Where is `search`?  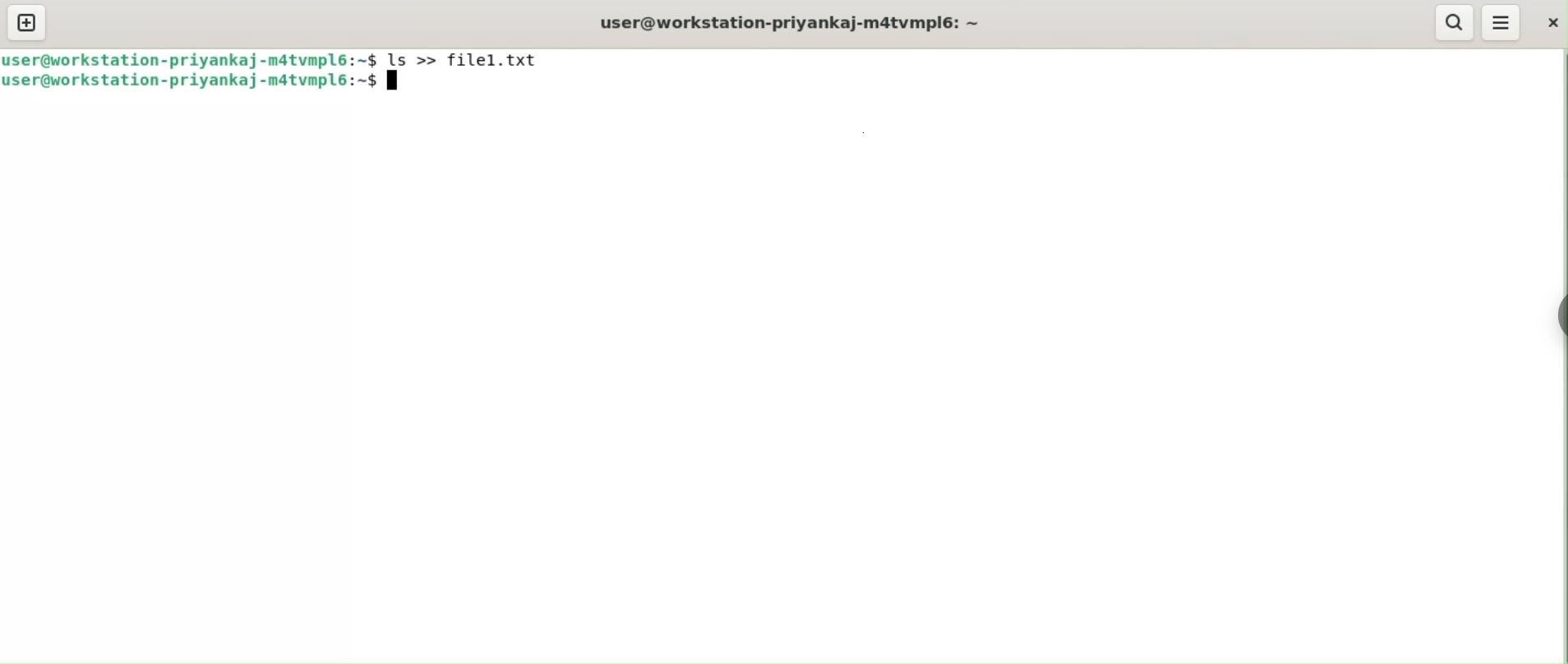 search is located at coordinates (1453, 22).